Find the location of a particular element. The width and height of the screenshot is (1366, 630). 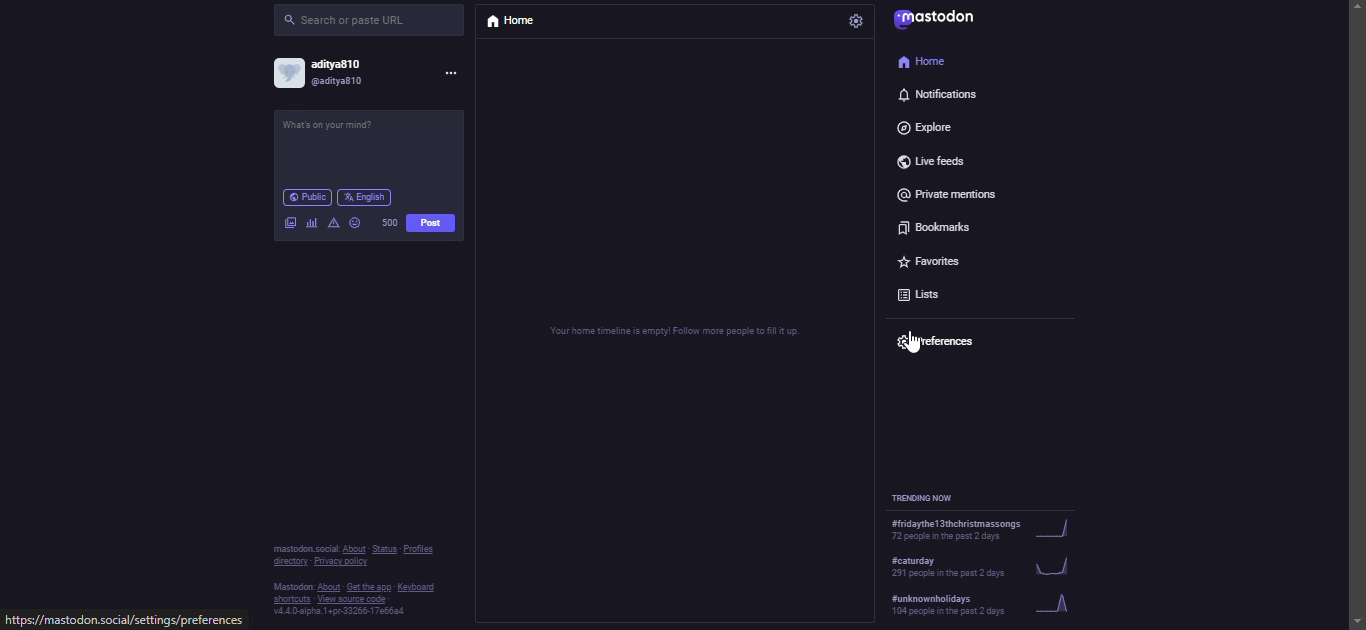

search is located at coordinates (349, 21).